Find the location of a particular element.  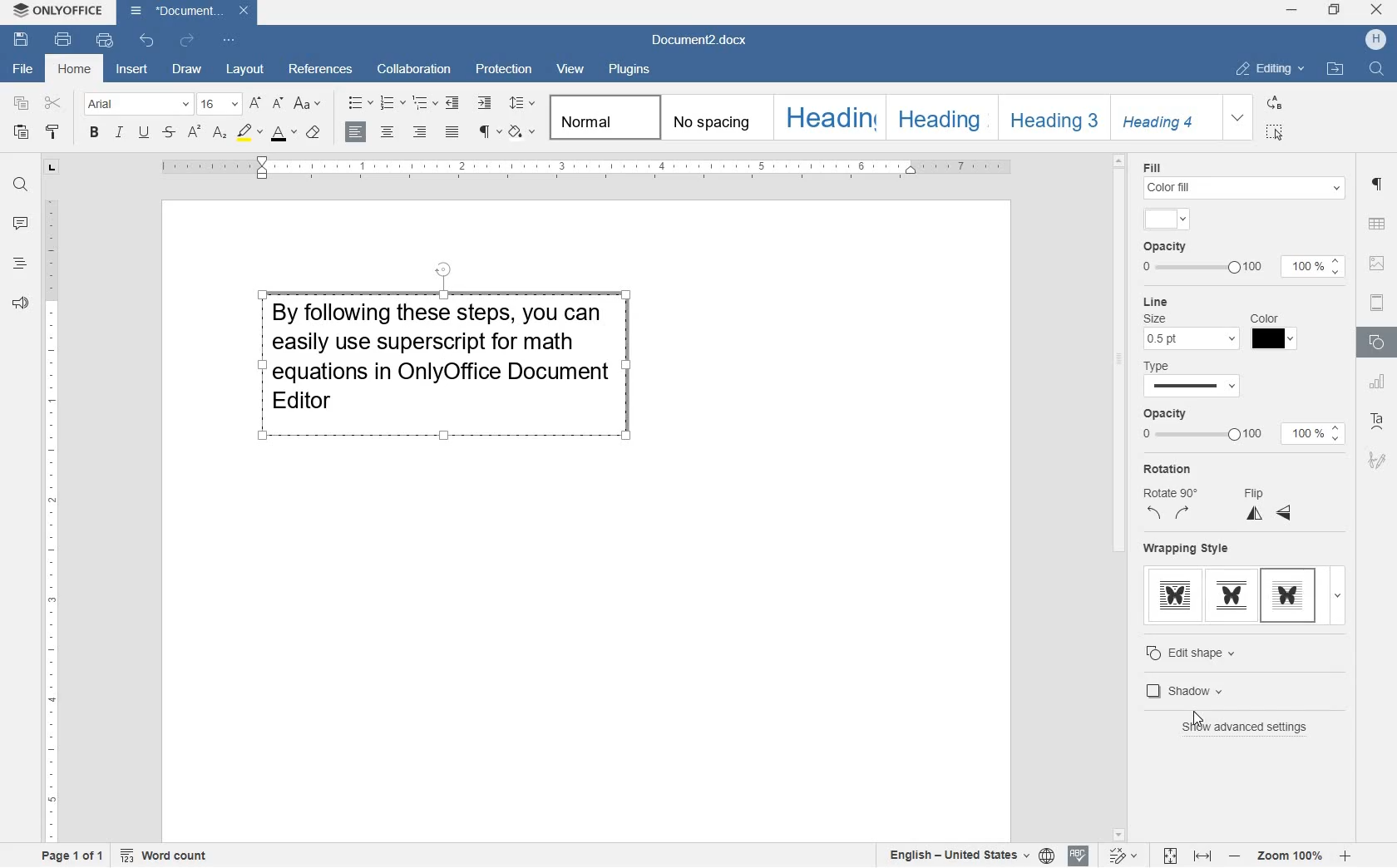

undo is located at coordinates (148, 41).